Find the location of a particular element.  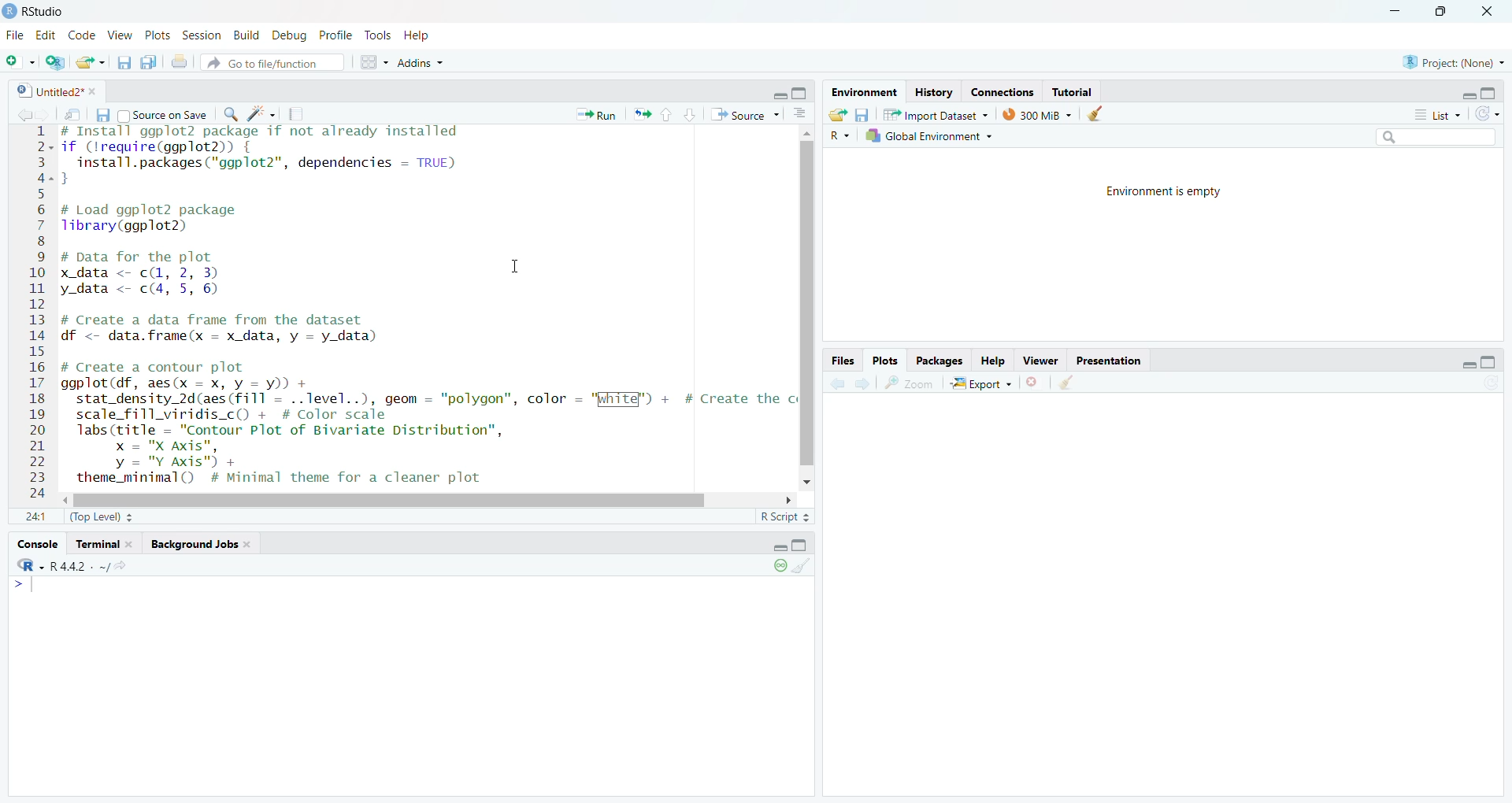

Files is located at coordinates (843, 362).